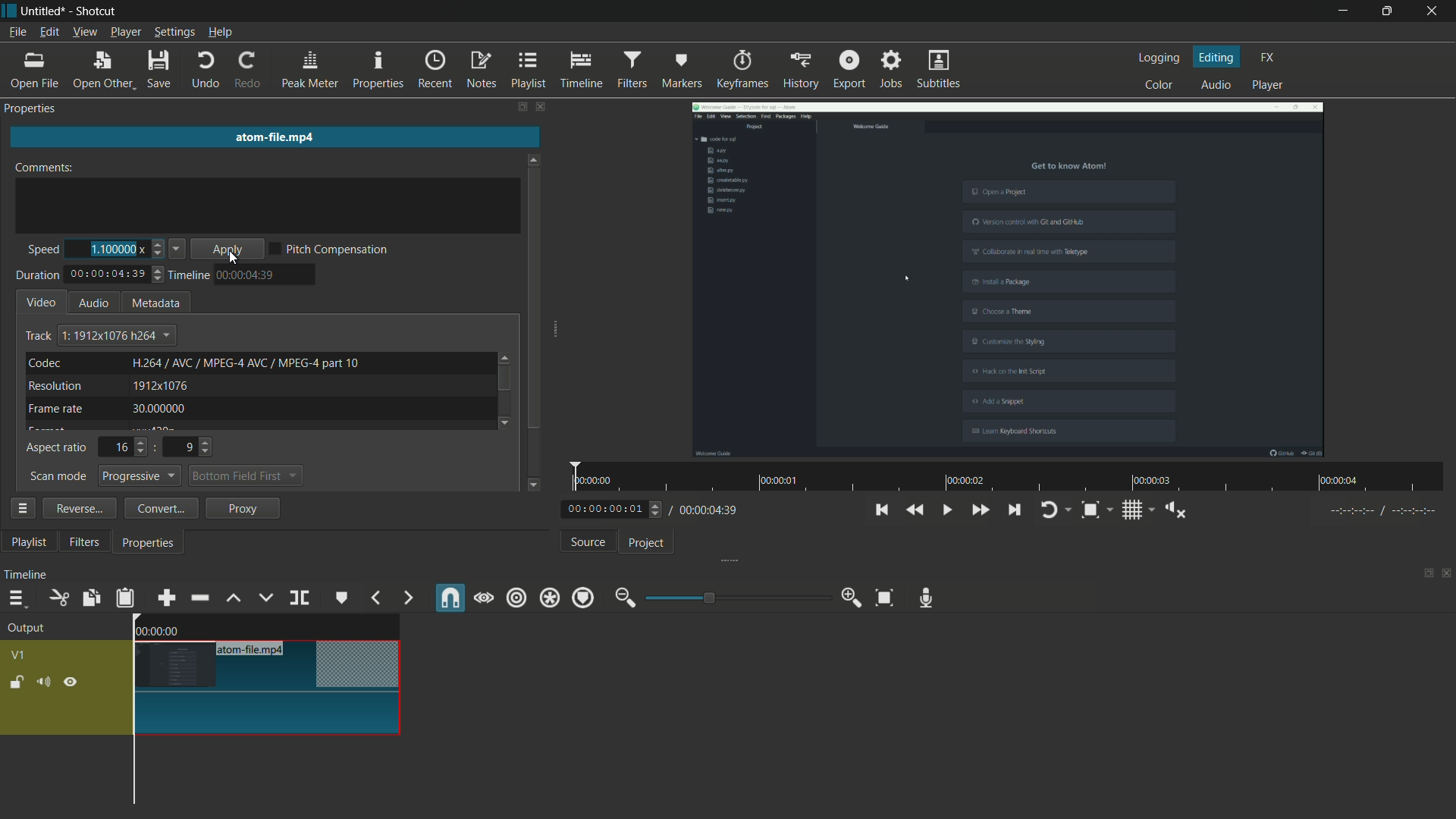  Describe the element at coordinates (926, 599) in the screenshot. I see `record audio` at that location.